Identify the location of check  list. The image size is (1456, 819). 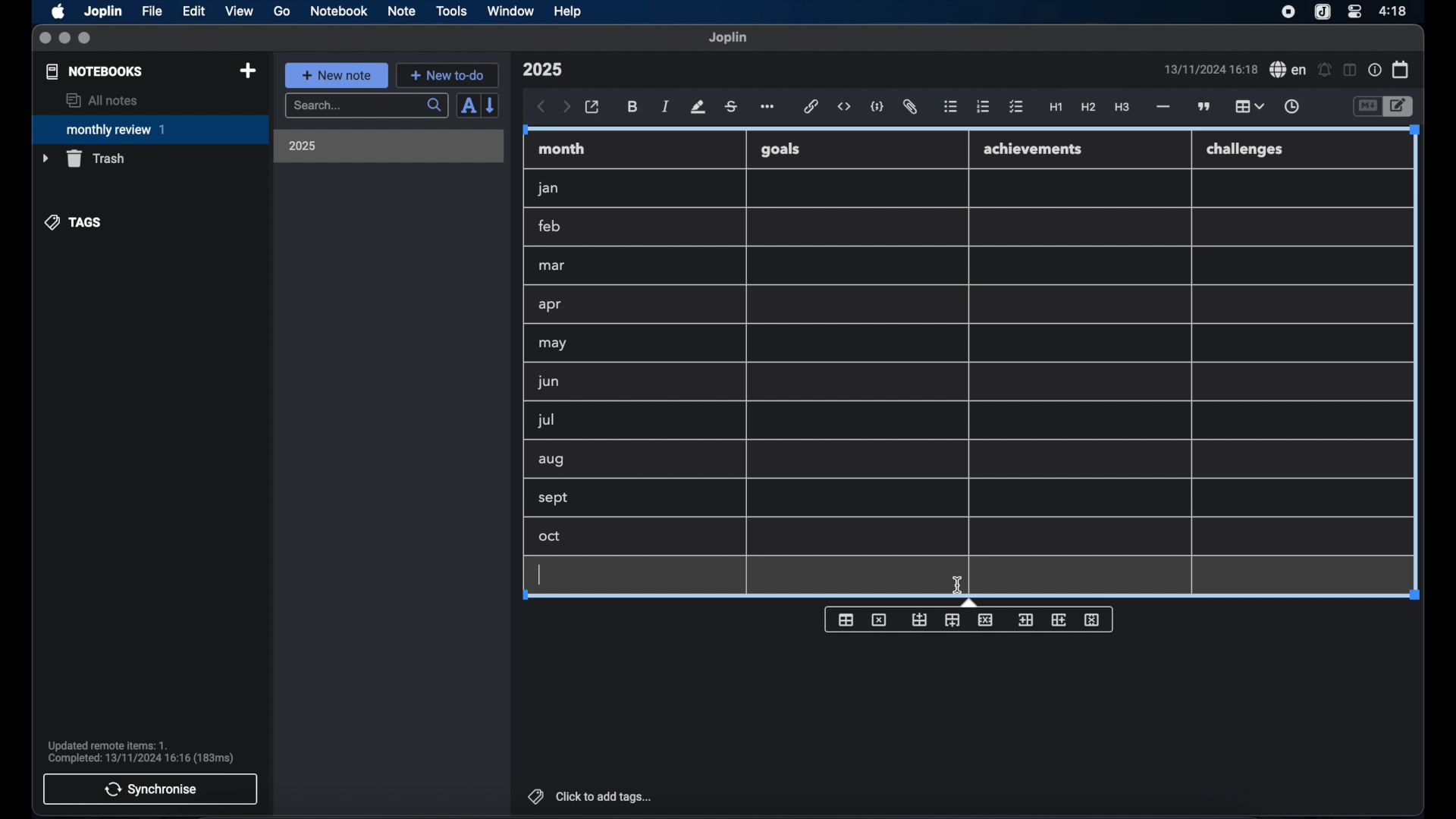
(1016, 108).